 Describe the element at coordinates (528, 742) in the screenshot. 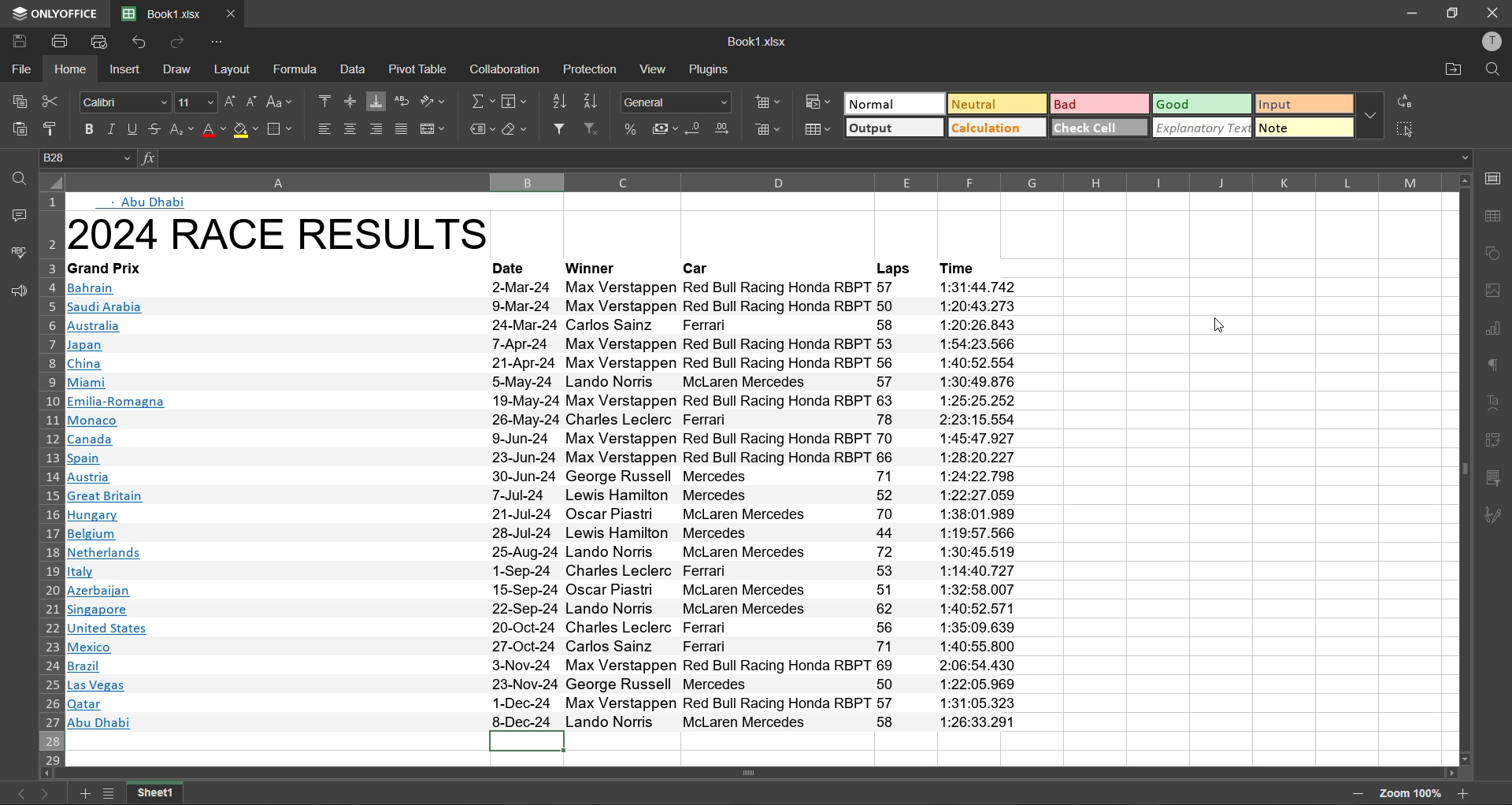

I see `current cell` at that location.